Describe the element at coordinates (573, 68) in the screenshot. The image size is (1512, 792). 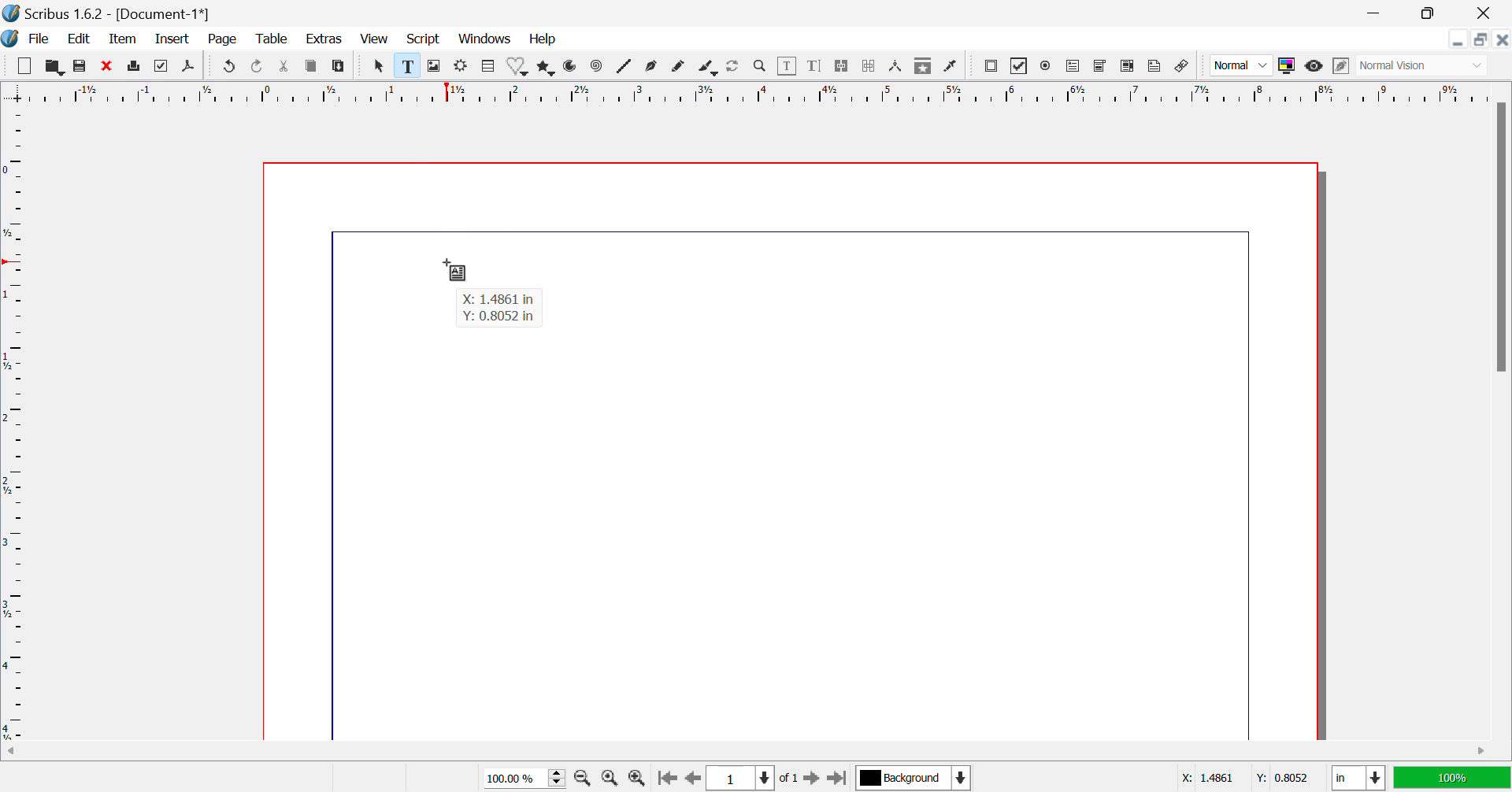
I see `Arcs` at that location.